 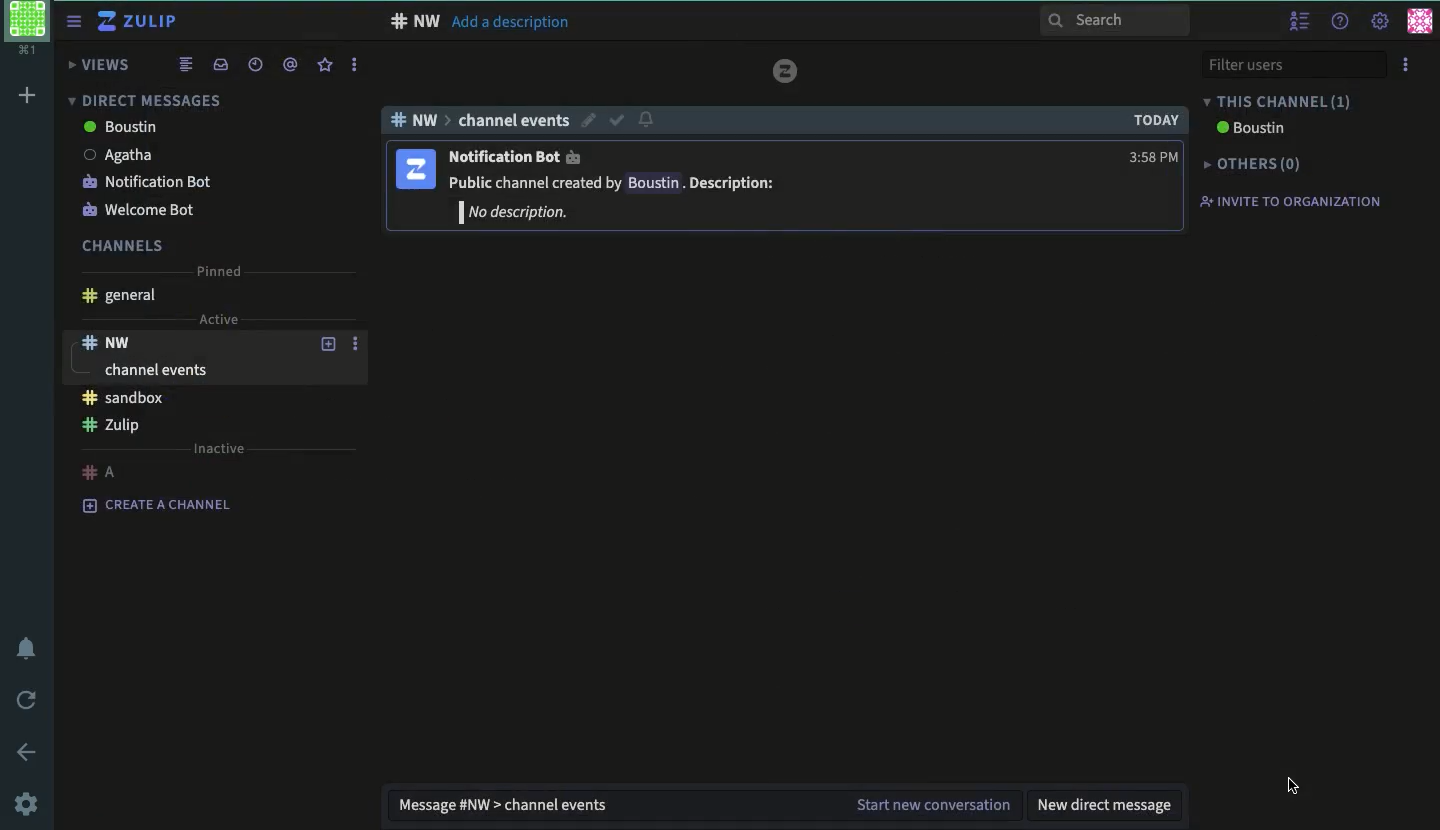 What do you see at coordinates (34, 652) in the screenshot?
I see `notification` at bounding box center [34, 652].